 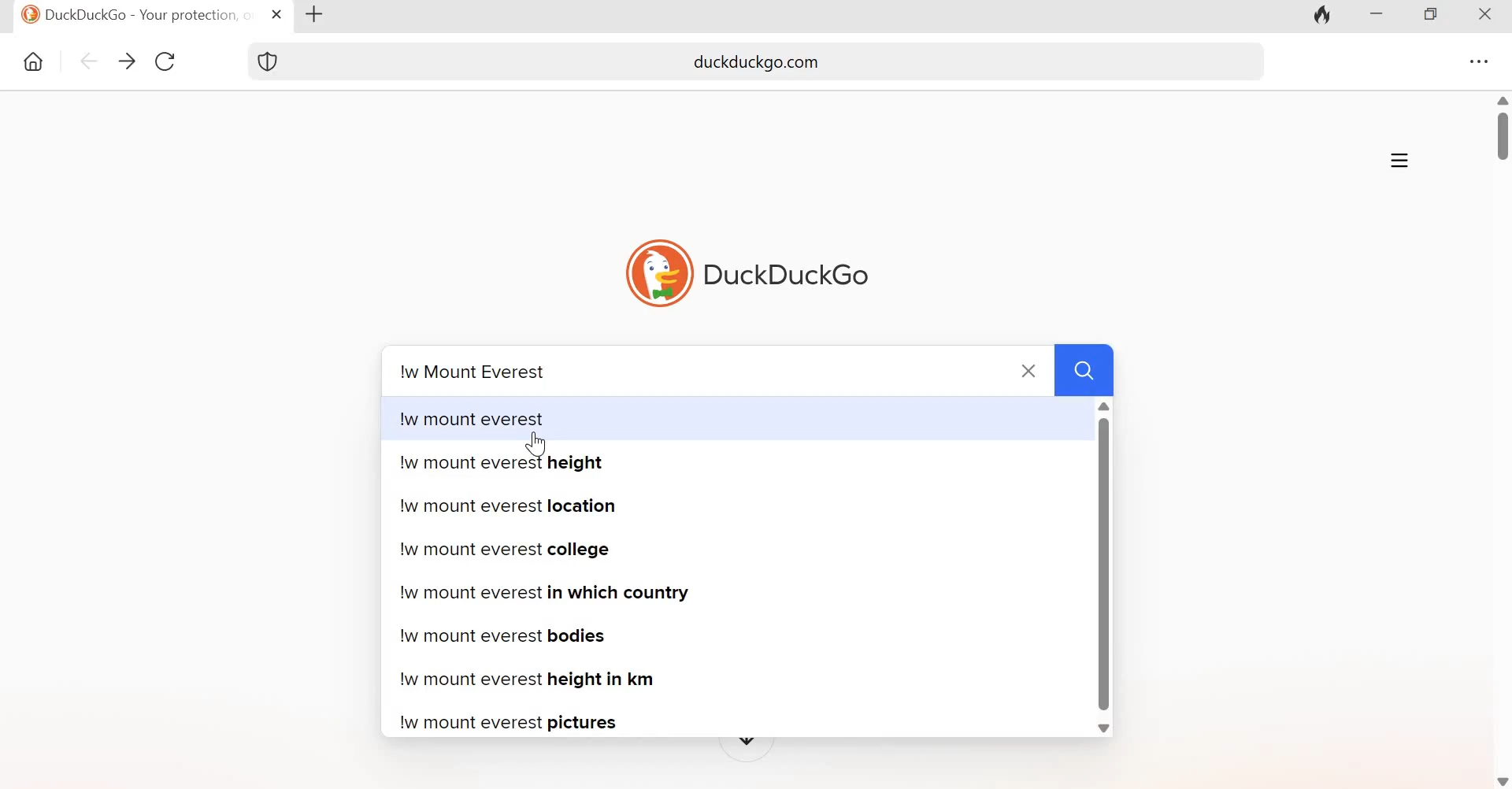 What do you see at coordinates (270, 61) in the screenshot?
I see `Shield` at bounding box center [270, 61].